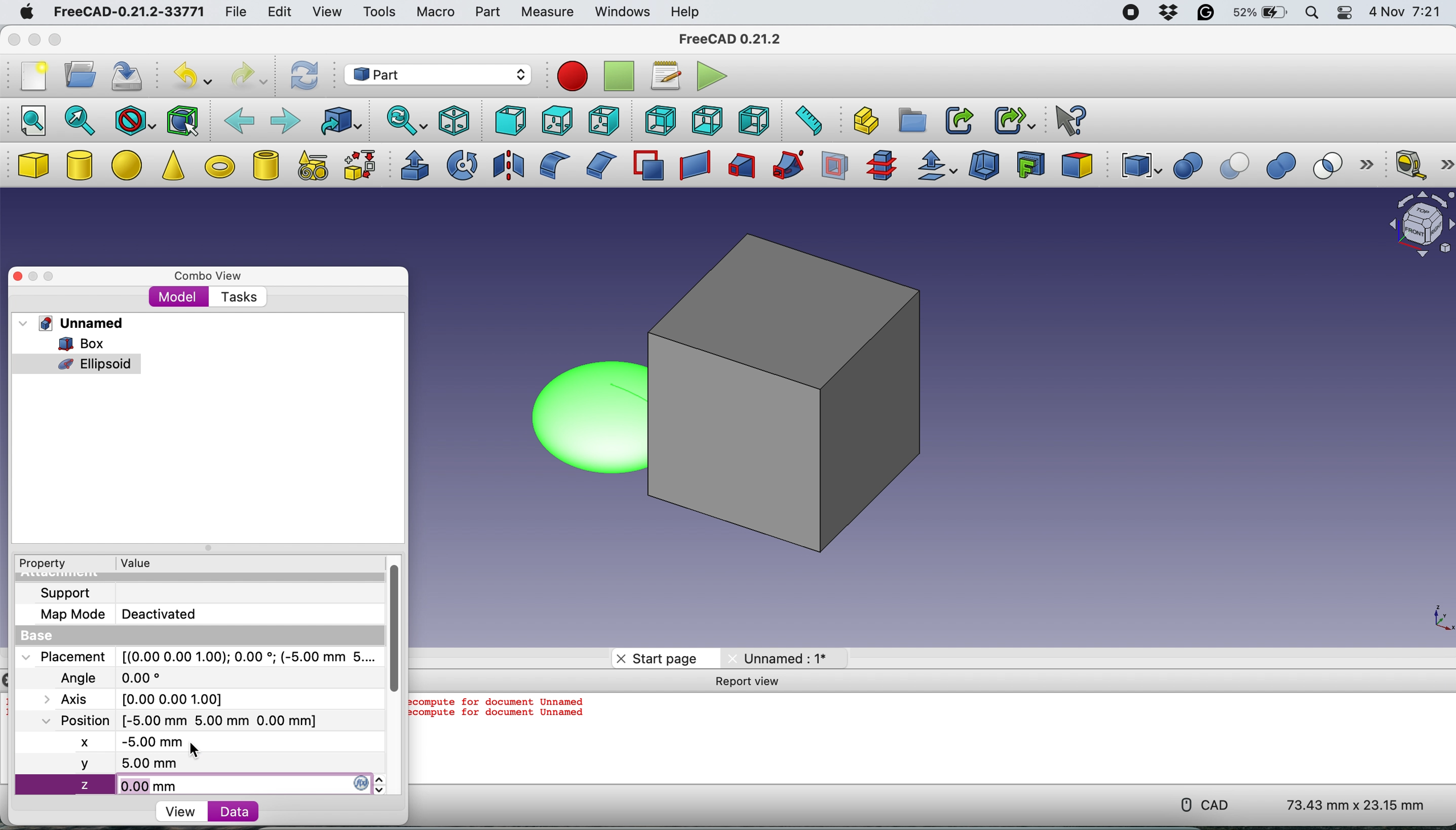 This screenshot has height=830, width=1456. Describe the element at coordinates (31, 79) in the screenshot. I see `new` at that location.